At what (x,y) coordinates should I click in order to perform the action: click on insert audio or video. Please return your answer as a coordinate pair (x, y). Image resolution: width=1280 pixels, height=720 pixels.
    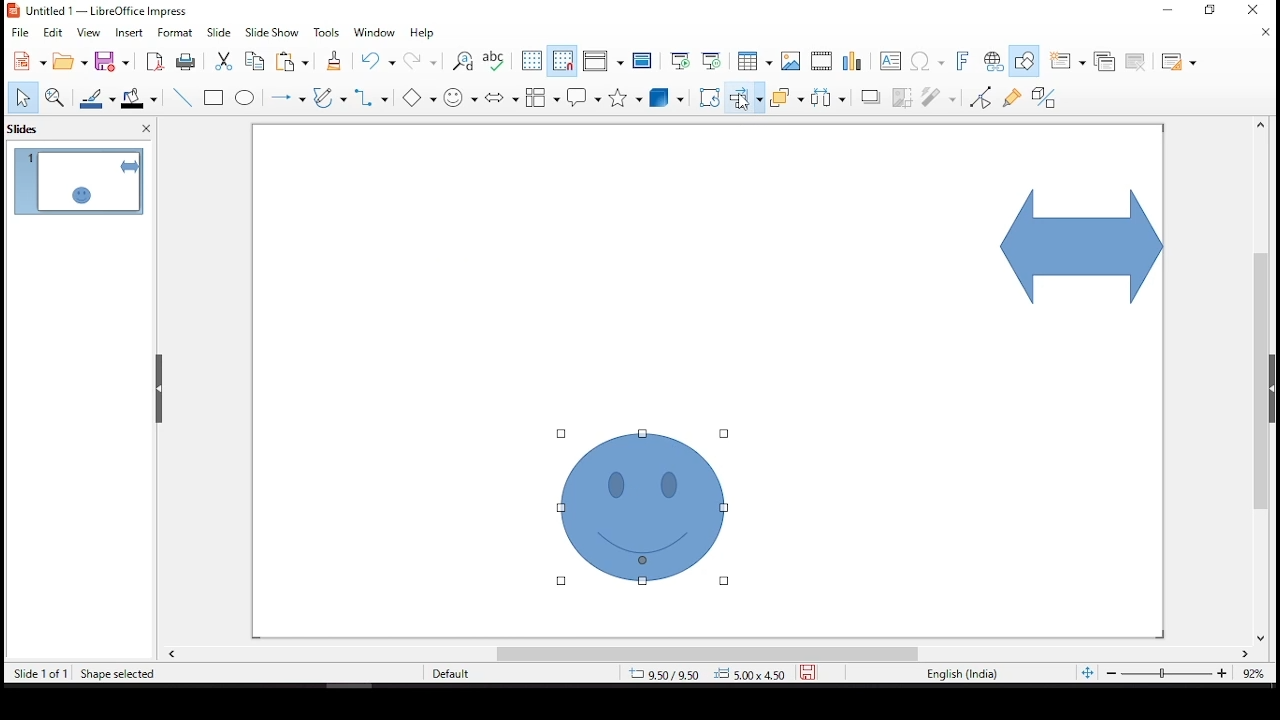
    Looking at the image, I should click on (821, 62).